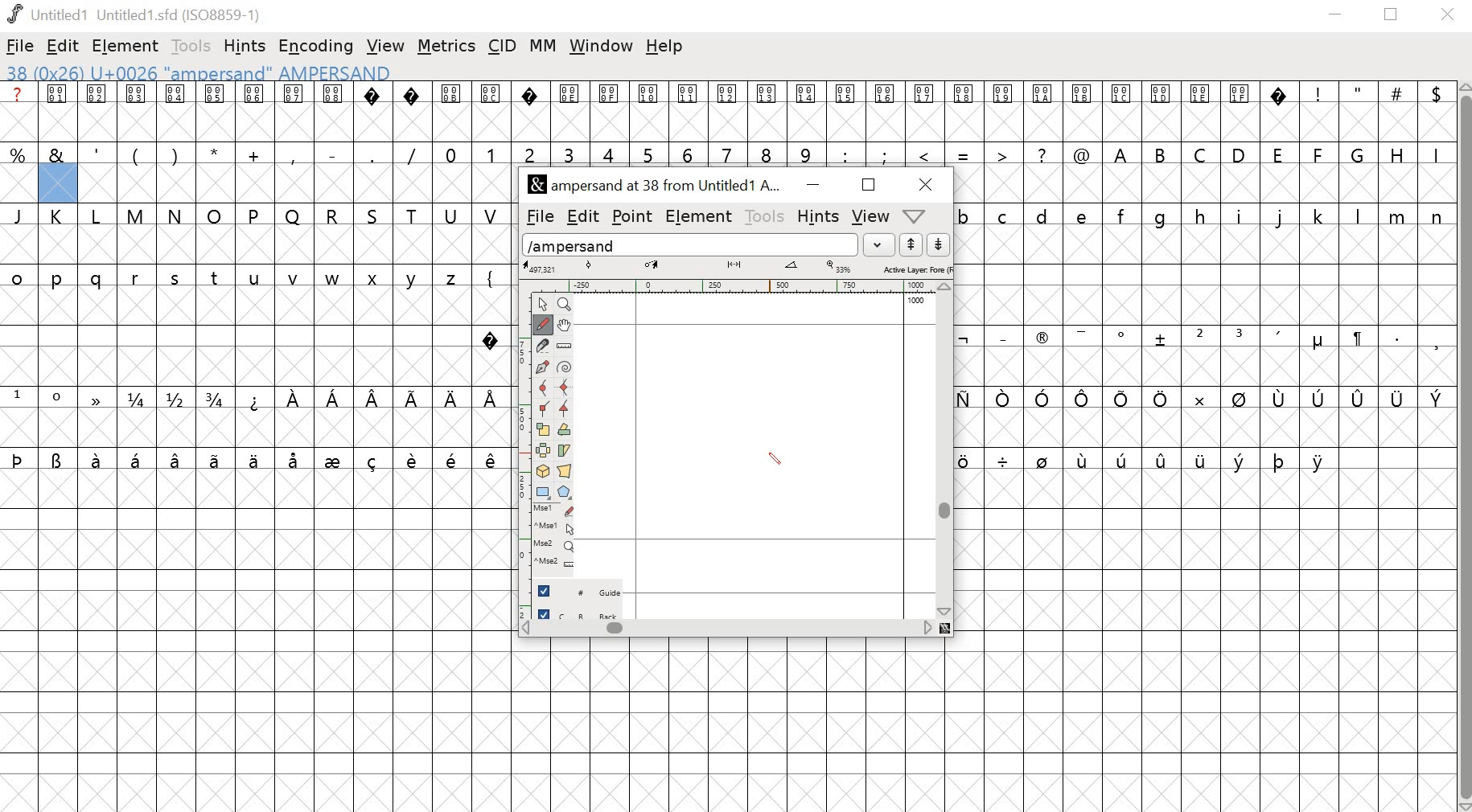 This screenshot has height=812, width=1472. Describe the element at coordinates (1398, 398) in the screenshot. I see `symbol` at that location.